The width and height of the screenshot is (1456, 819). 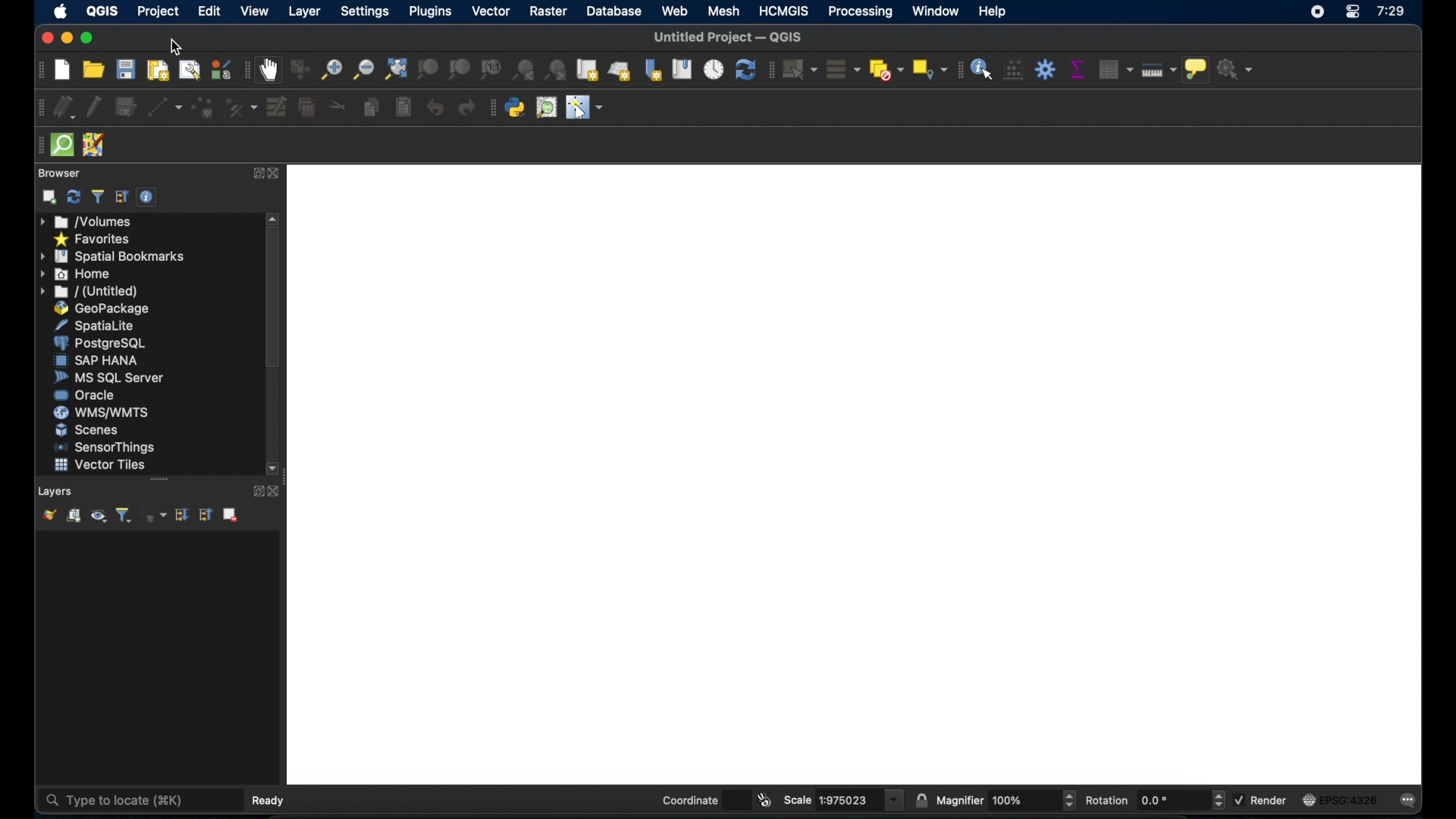 What do you see at coordinates (937, 11) in the screenshot?
I see `window` at bounding box center [937, 11].